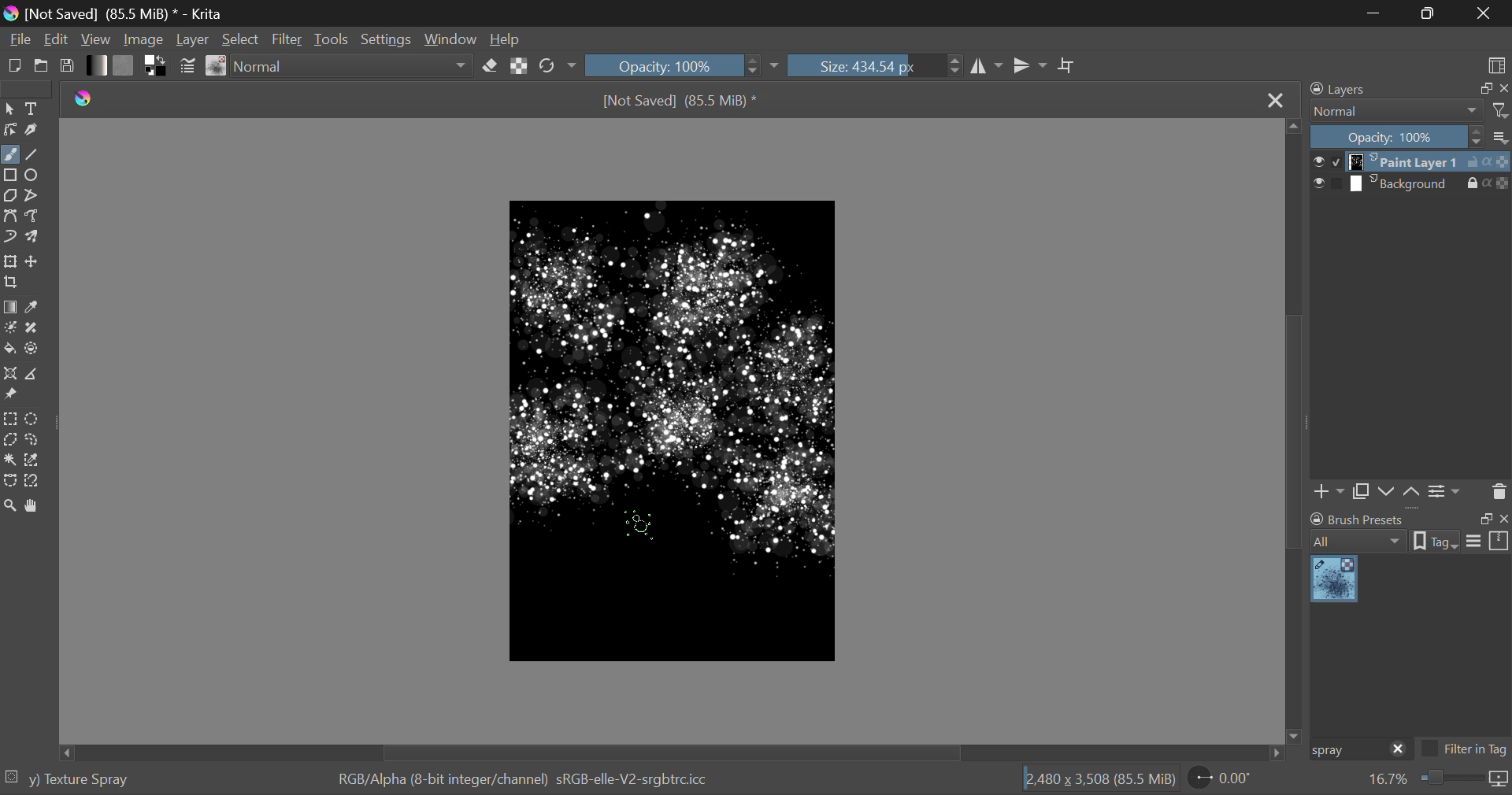  Describe the element at coordinates (1447, 492) in the screenshot. I see `Settings` at that location.